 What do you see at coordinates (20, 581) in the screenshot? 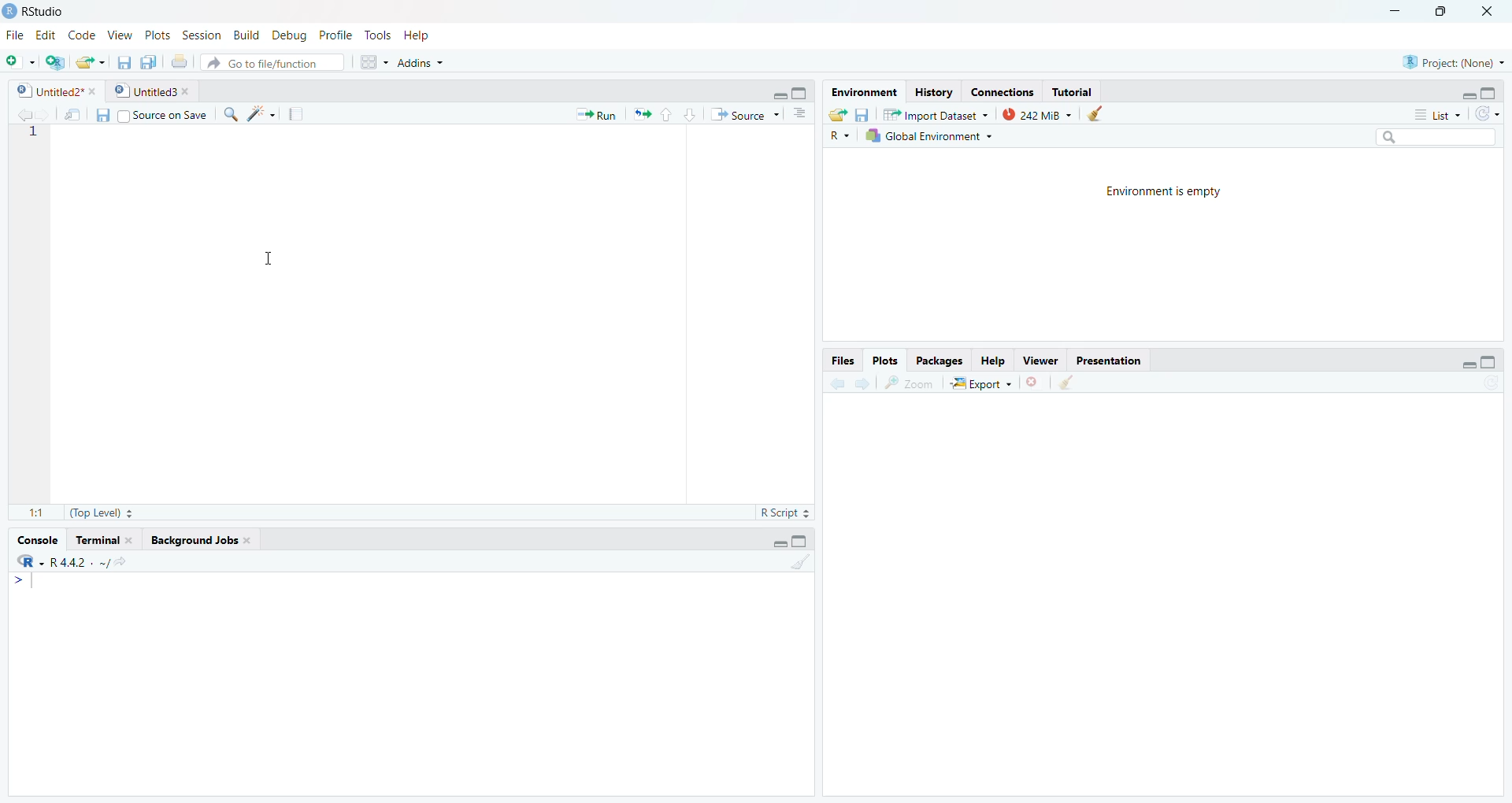
I see `Arrow` at bounding box center [20, 581].